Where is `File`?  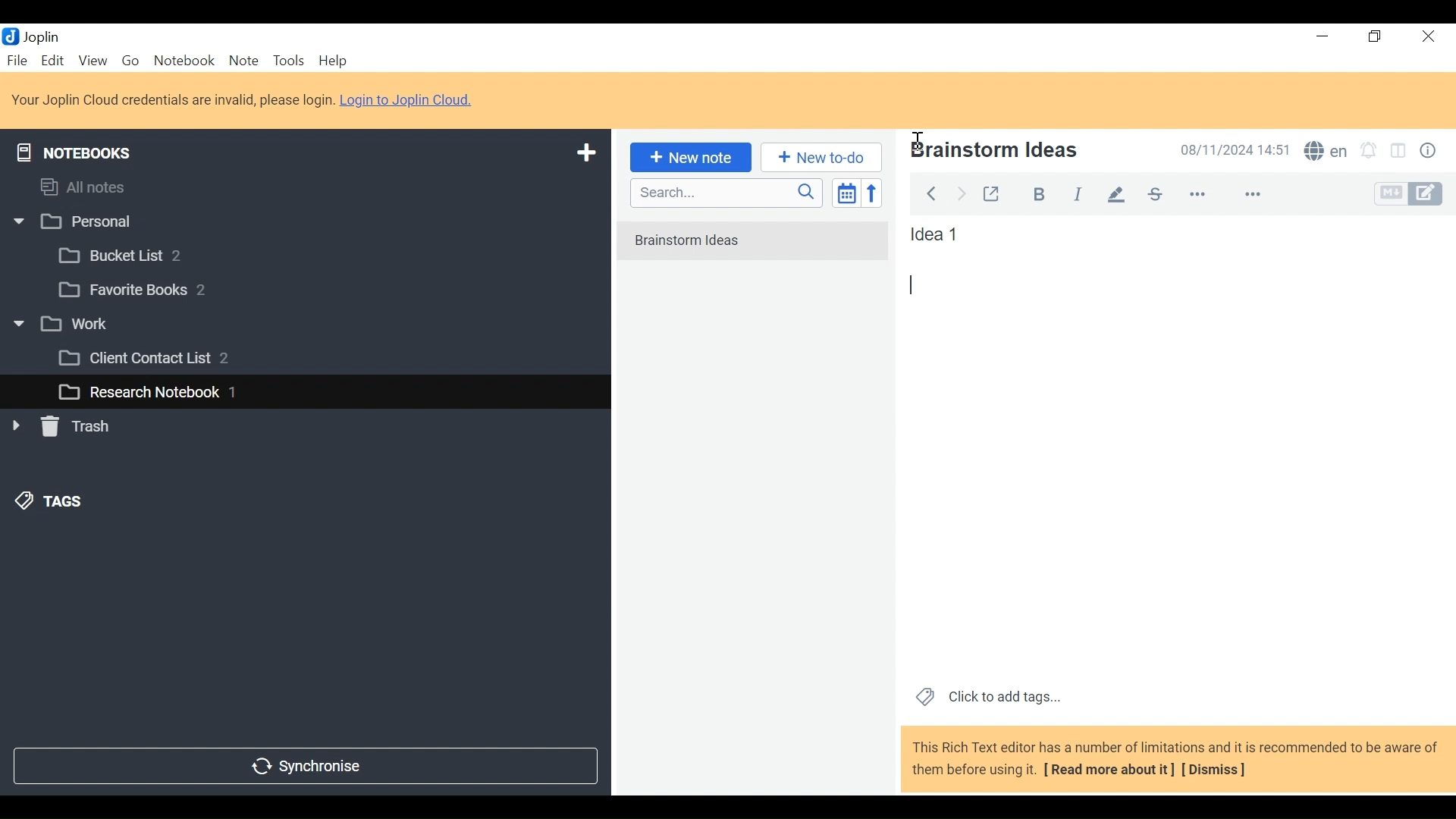 File is located at coordinates (19, 60).